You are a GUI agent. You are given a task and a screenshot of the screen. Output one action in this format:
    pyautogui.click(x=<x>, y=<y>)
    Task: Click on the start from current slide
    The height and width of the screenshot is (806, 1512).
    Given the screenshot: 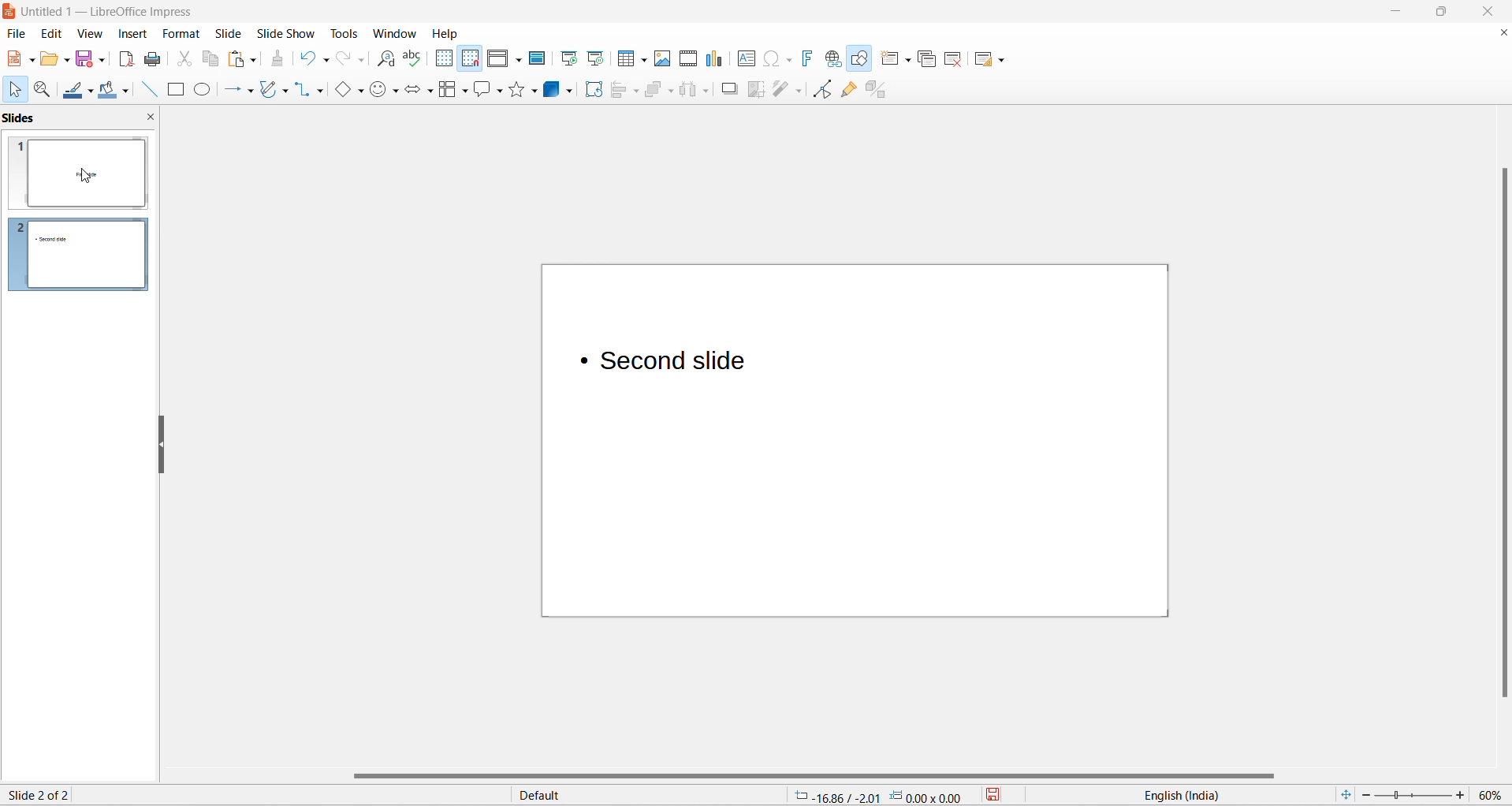 What is the action you would take?
    pyautogui.click(x=598, y=58)
    